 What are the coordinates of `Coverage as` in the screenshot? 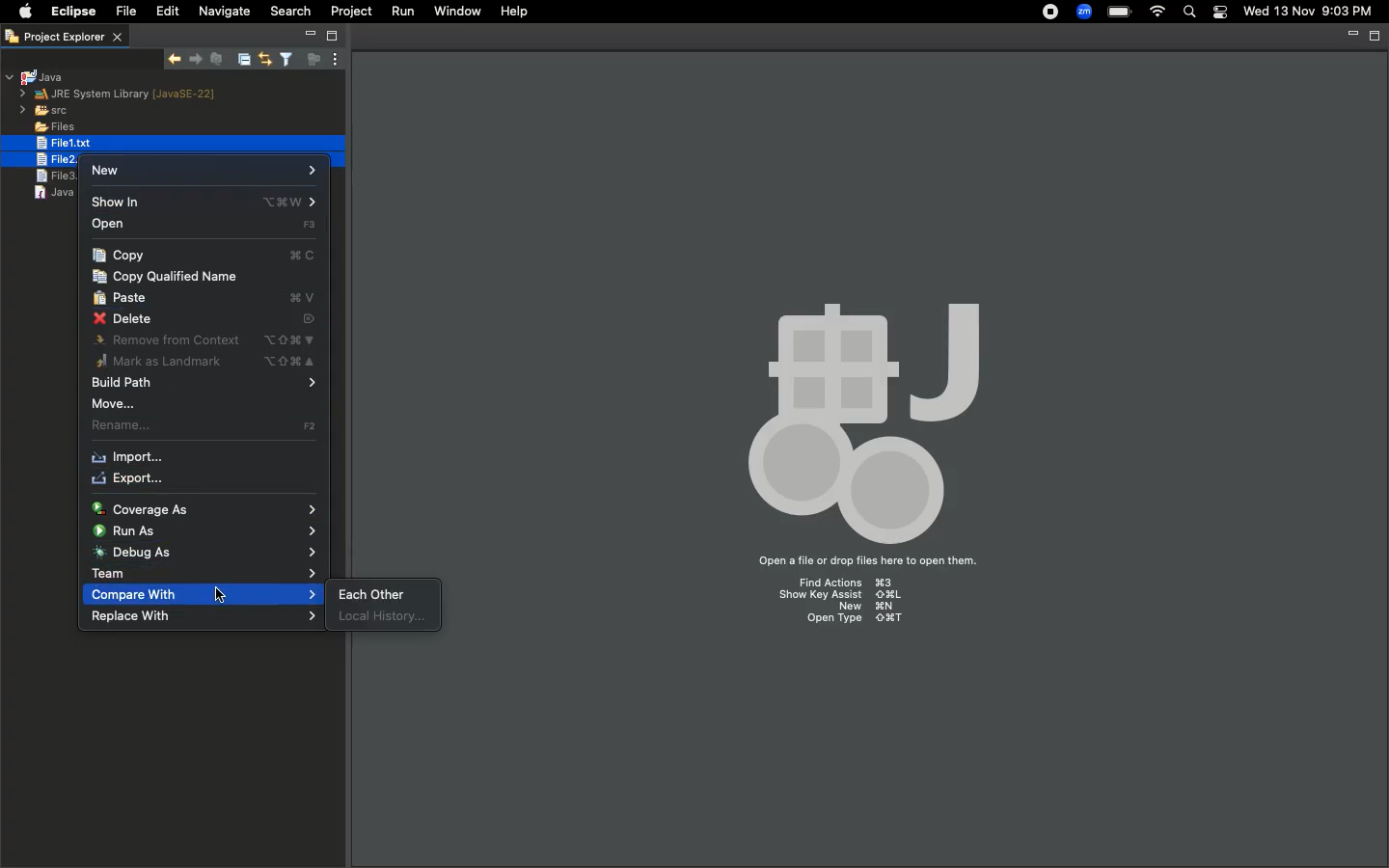 It's located at (204, 509).